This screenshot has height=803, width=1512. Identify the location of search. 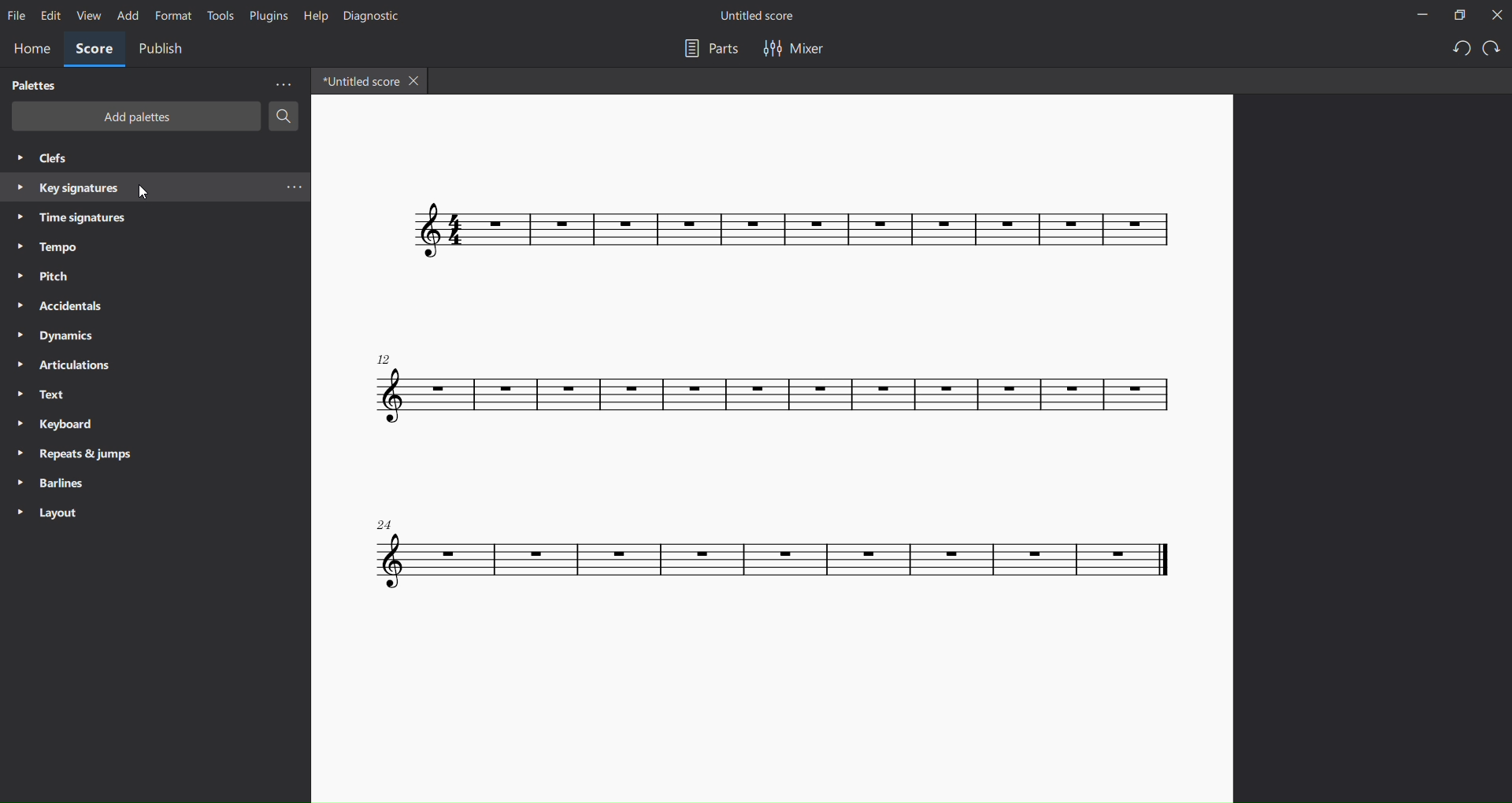
(283, 115).